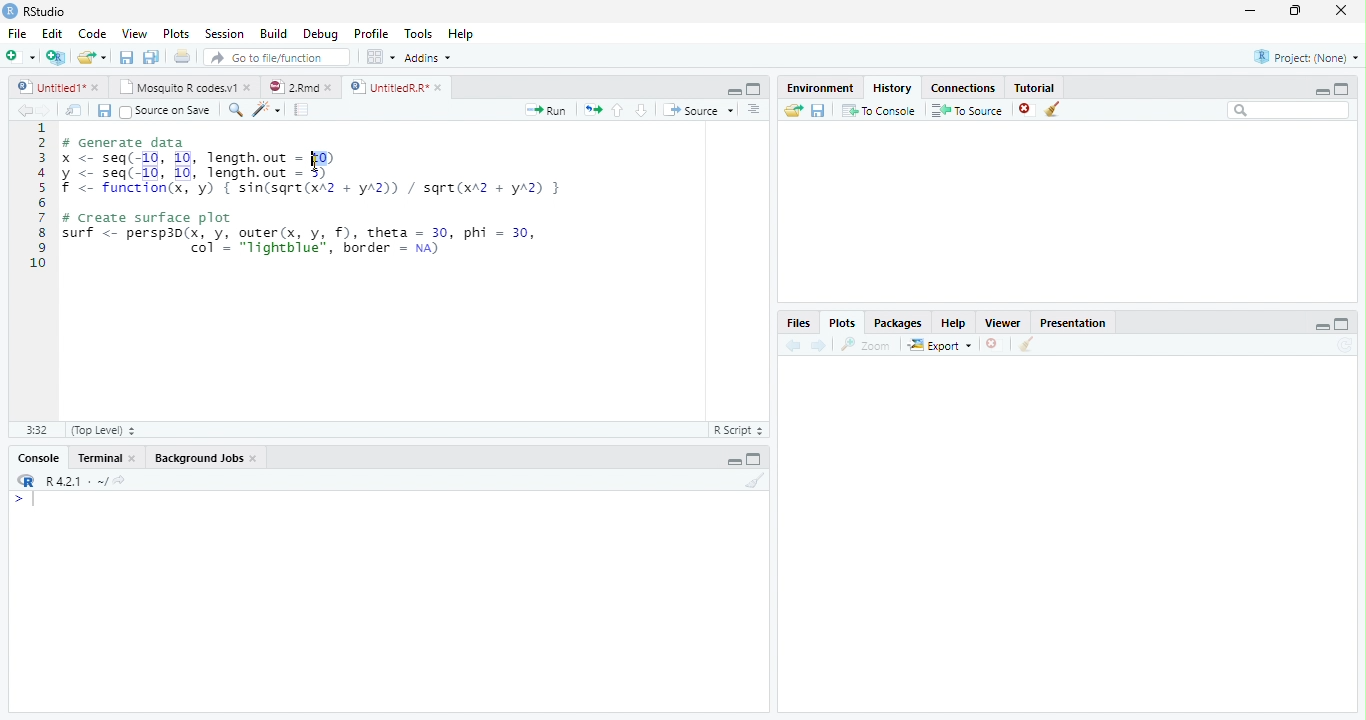 The image size is (1366, 720). I want to click on Code tools, so click(267, 109).